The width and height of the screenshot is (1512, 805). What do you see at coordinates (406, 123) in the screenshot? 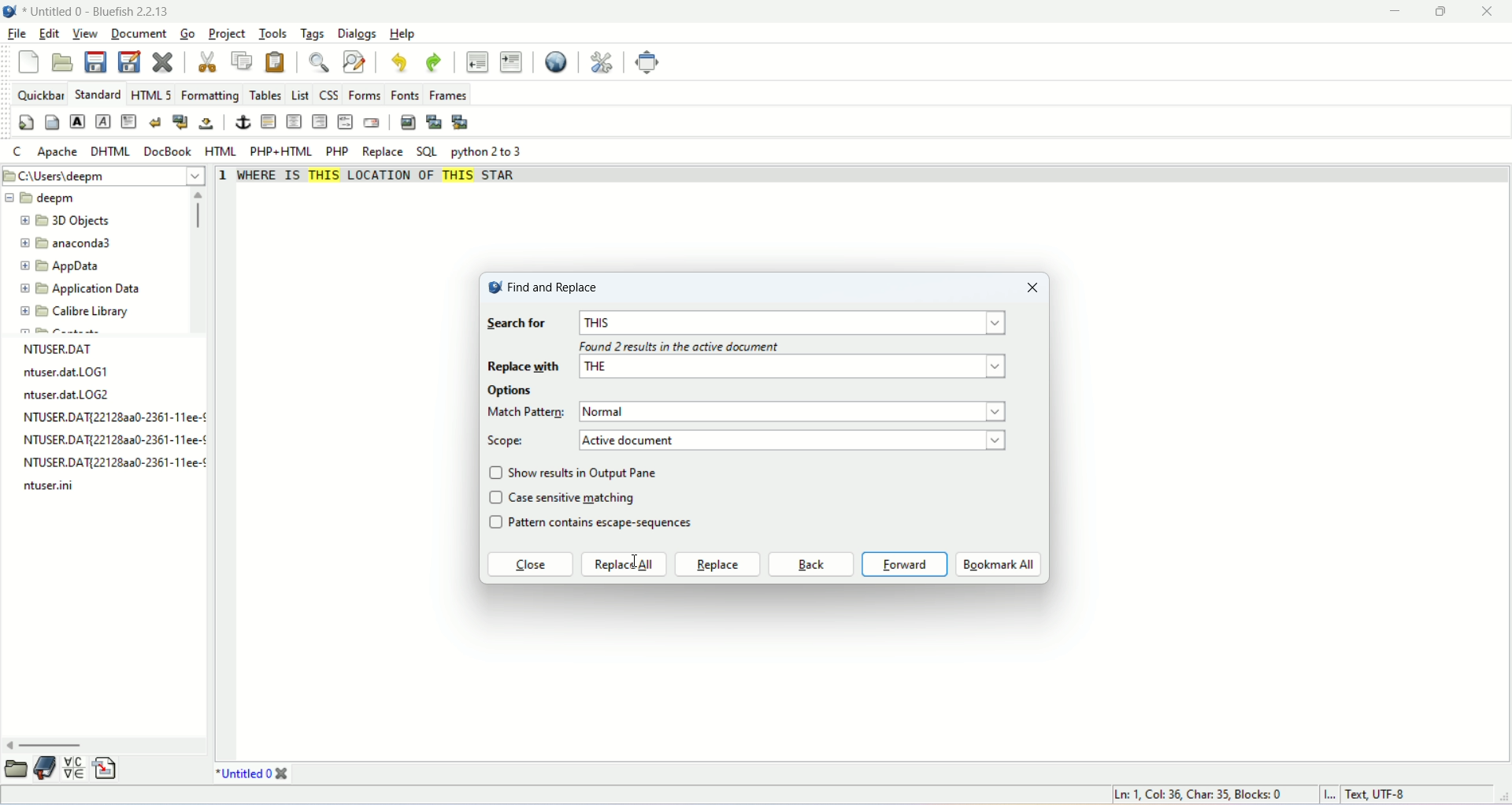
I see `insert image` at bounding box center [406, 123].